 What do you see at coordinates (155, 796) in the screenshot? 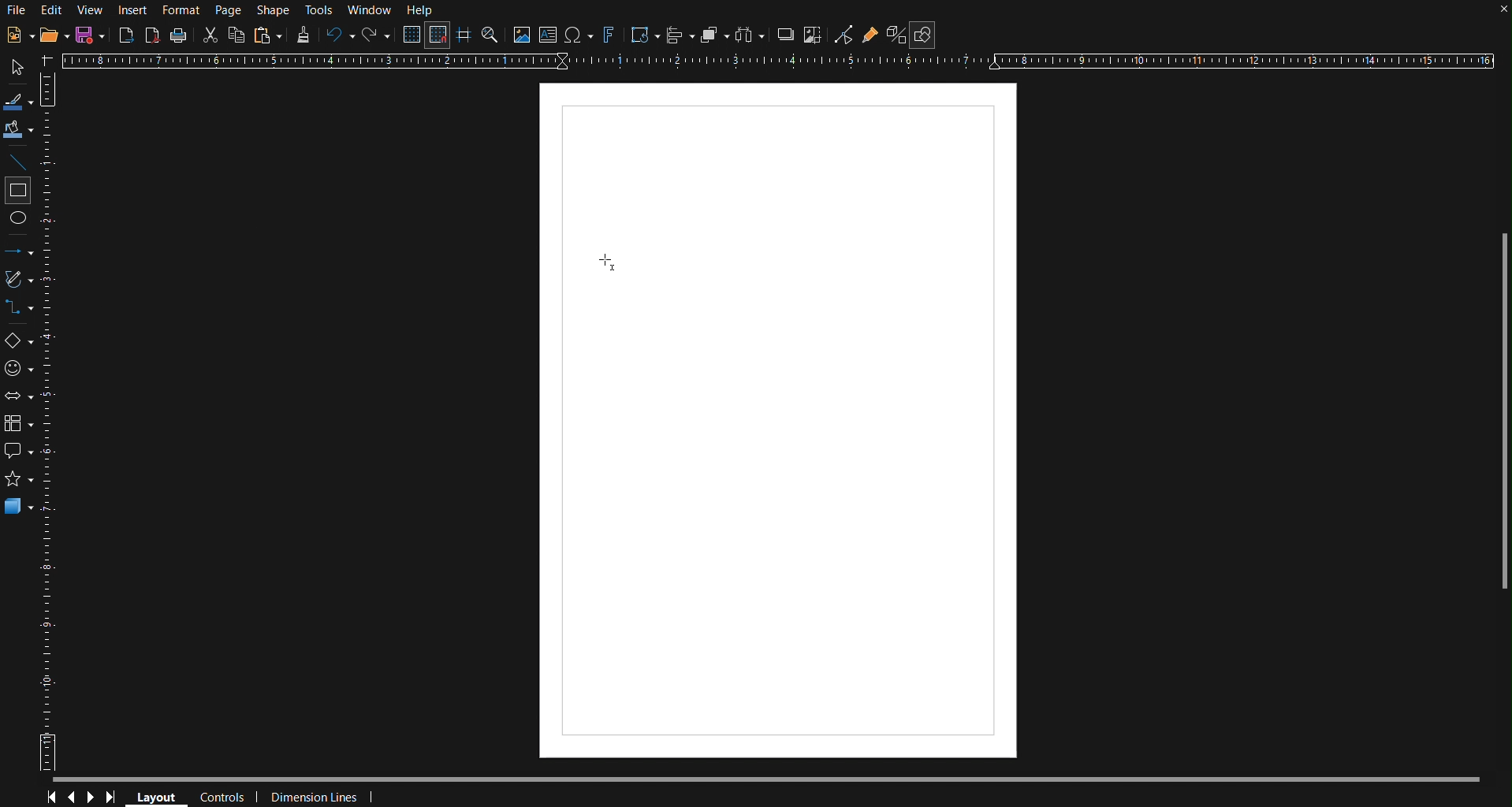
I see `Layout` at bounding box center [155, 796].